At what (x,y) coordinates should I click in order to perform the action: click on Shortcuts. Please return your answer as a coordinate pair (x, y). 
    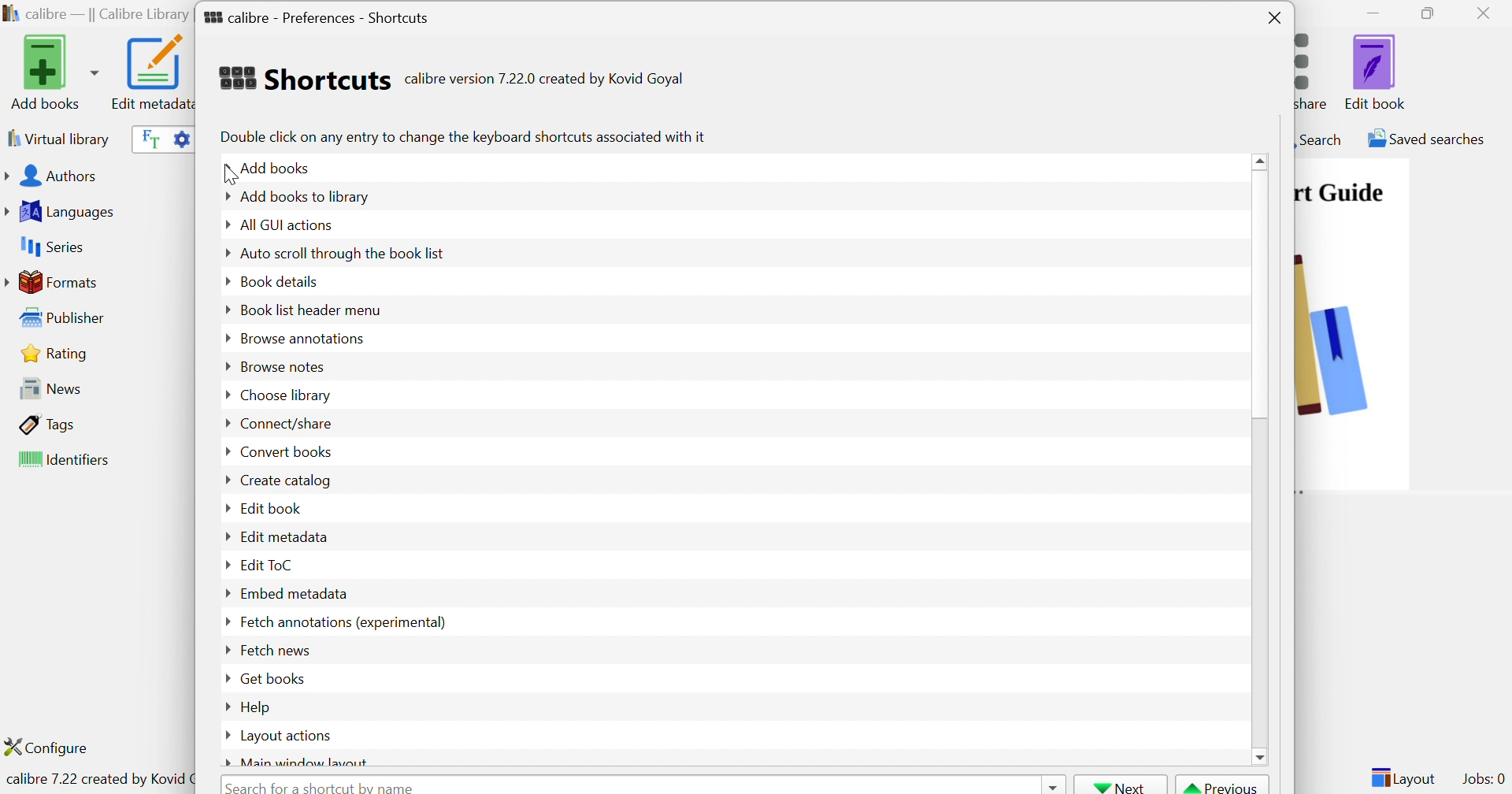
    Looking at the image, I should click on (303, 78).